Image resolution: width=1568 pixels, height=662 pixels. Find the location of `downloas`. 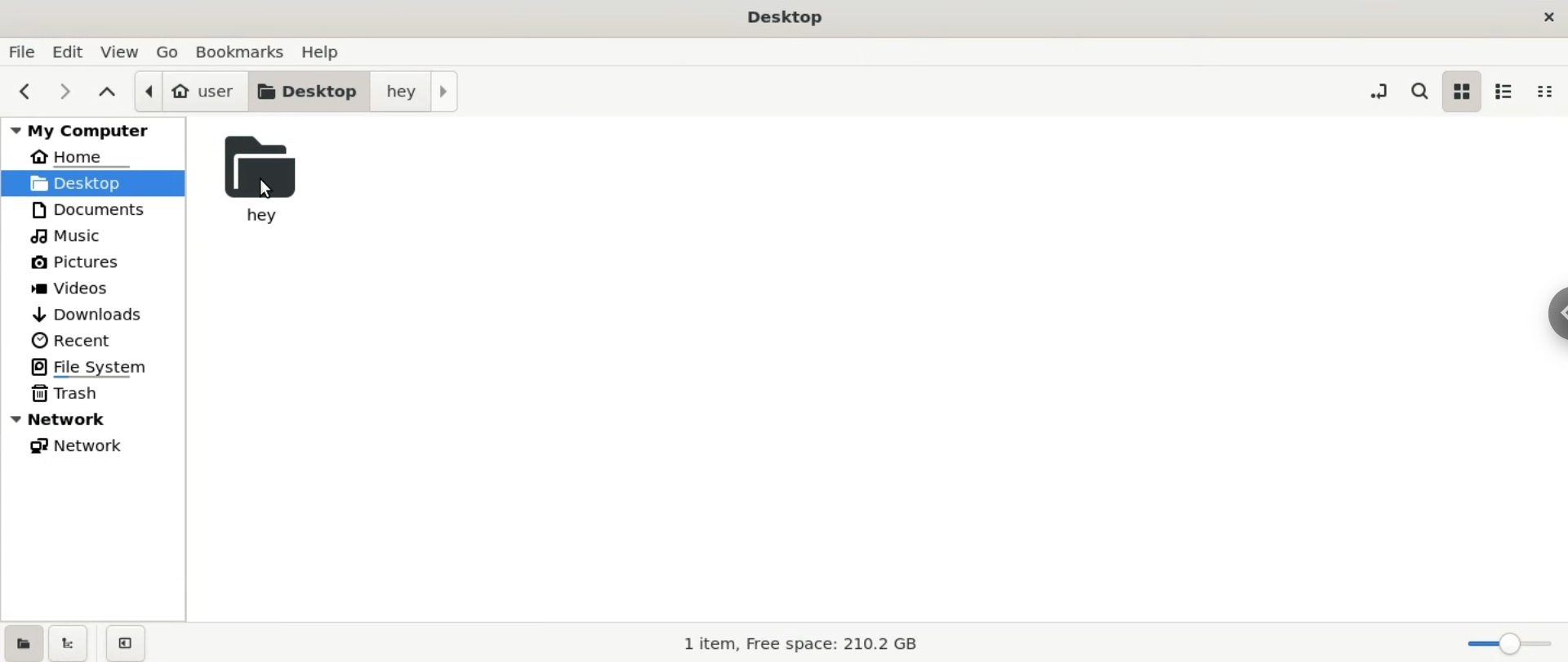

downloas is located at coordinates (94, 314).